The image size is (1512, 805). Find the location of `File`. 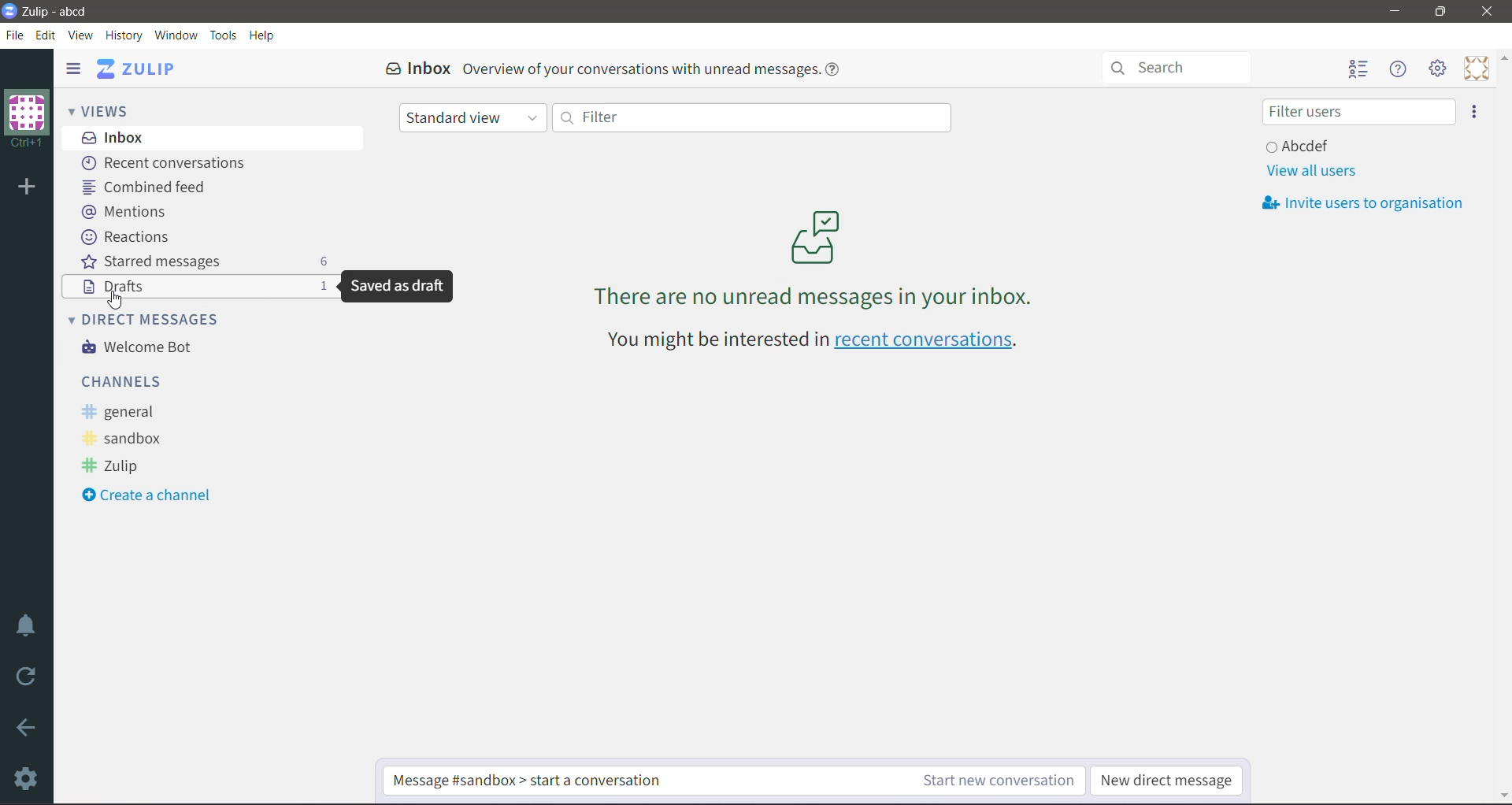

File is located at coordinates (15, 35).